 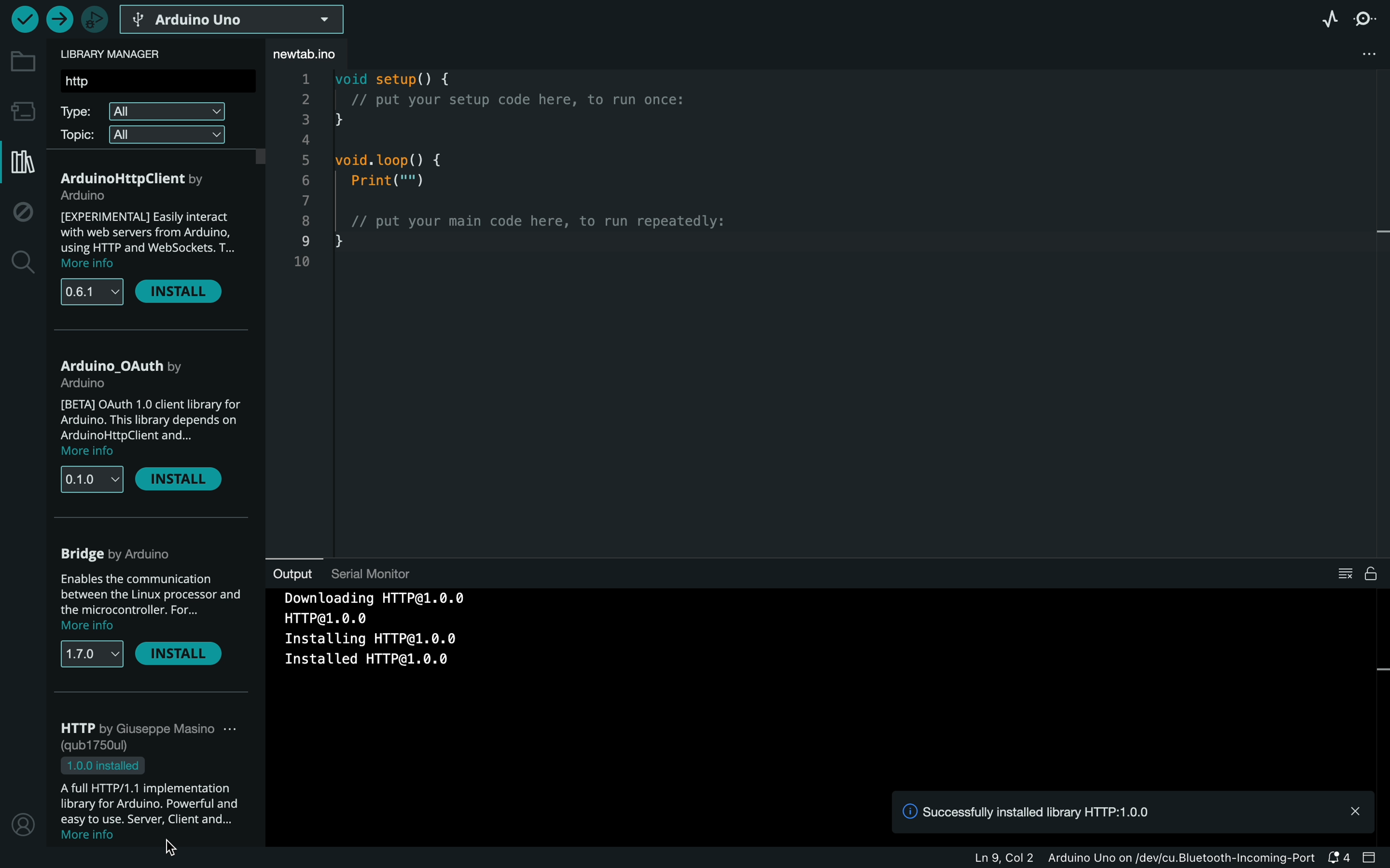 I want to click on topic filter, so click(x=142, y=137).